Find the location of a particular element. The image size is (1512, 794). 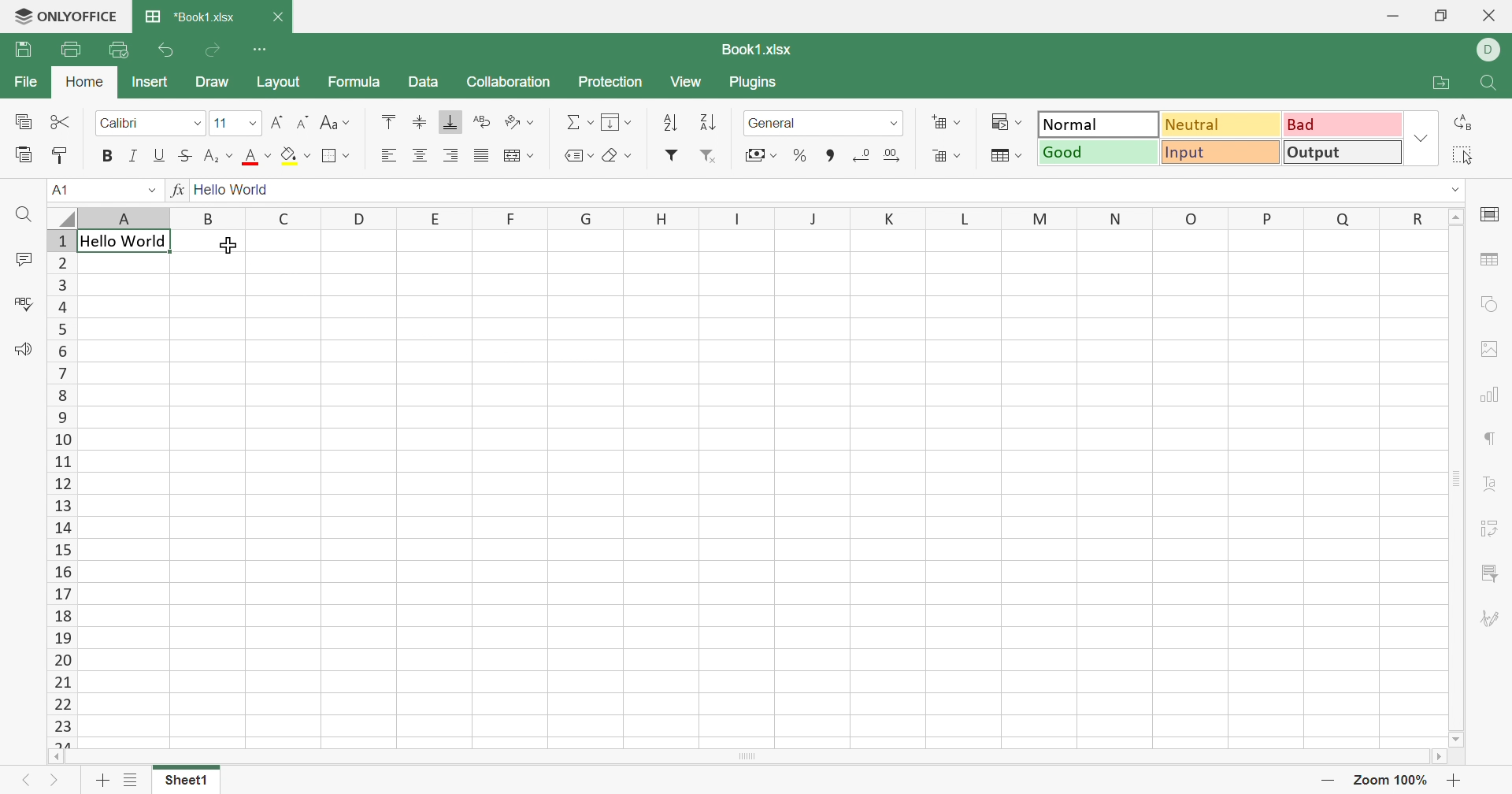

Print file is located at coordinates (73, 49).